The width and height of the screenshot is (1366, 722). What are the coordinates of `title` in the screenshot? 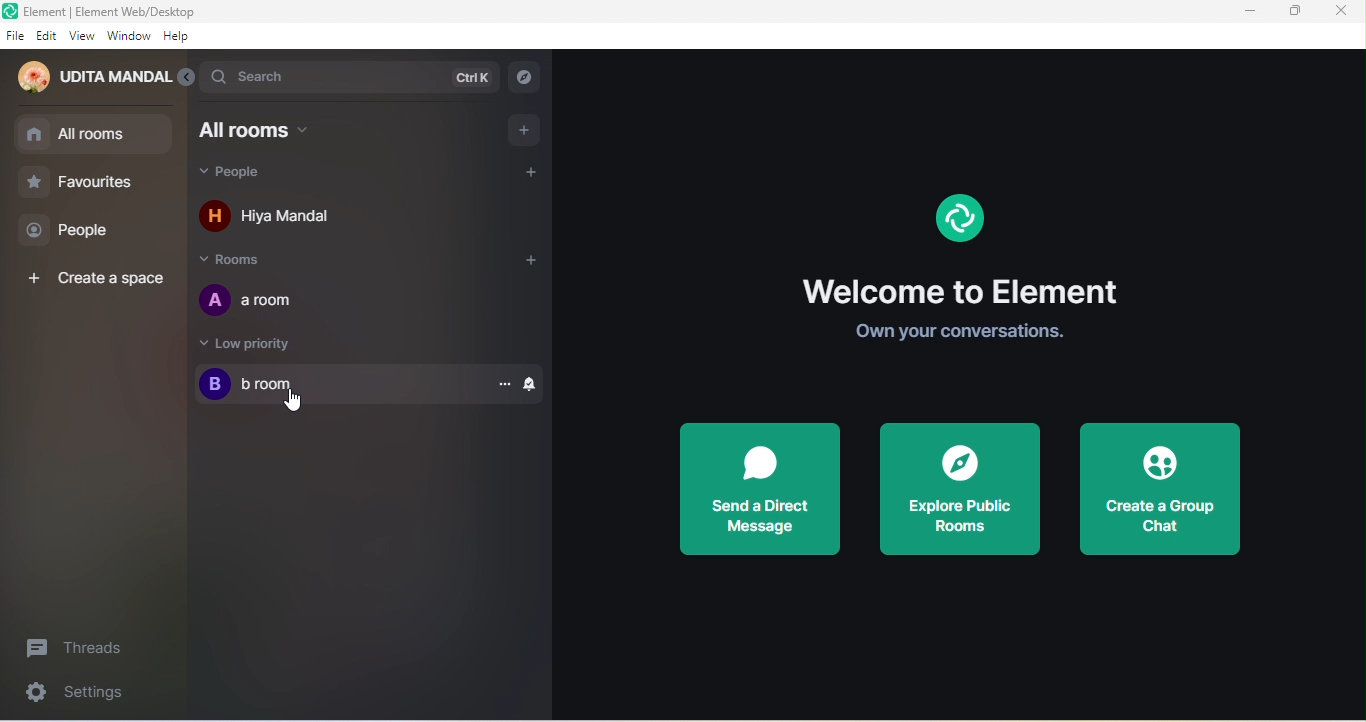 It's located at (100, 13).